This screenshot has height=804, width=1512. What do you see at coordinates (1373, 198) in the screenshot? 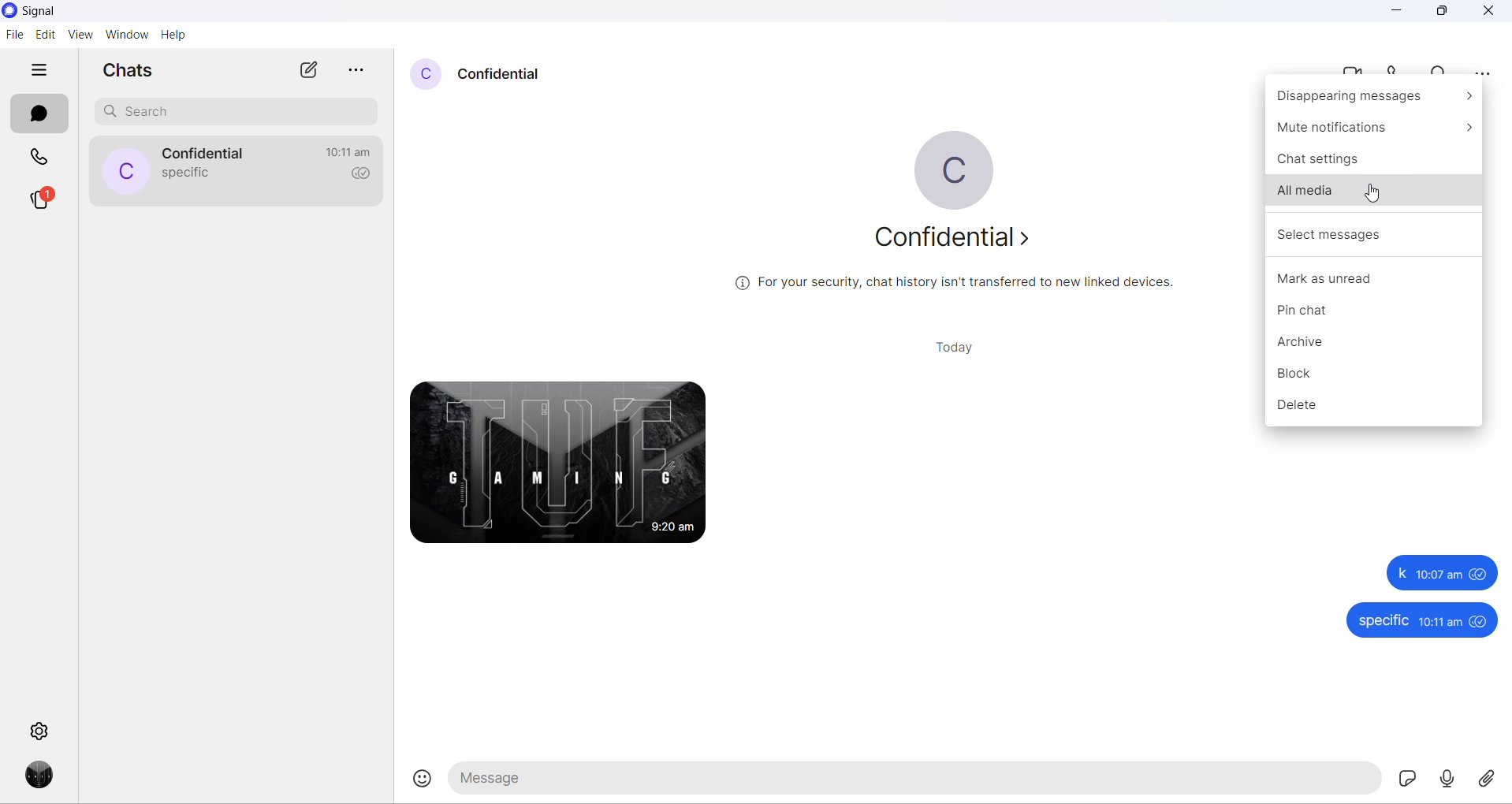
I see `all media` at bounding box center [1373, 198].